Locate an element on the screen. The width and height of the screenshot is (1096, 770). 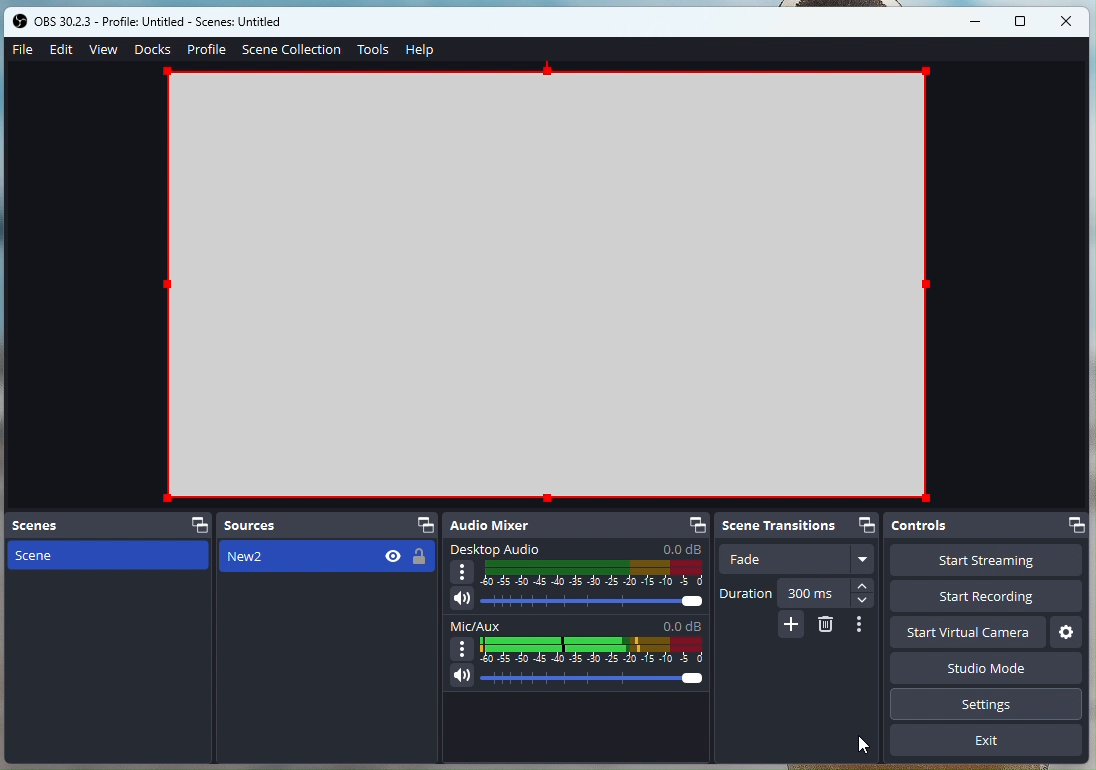
Audio level is located at coordinates (593, 573).